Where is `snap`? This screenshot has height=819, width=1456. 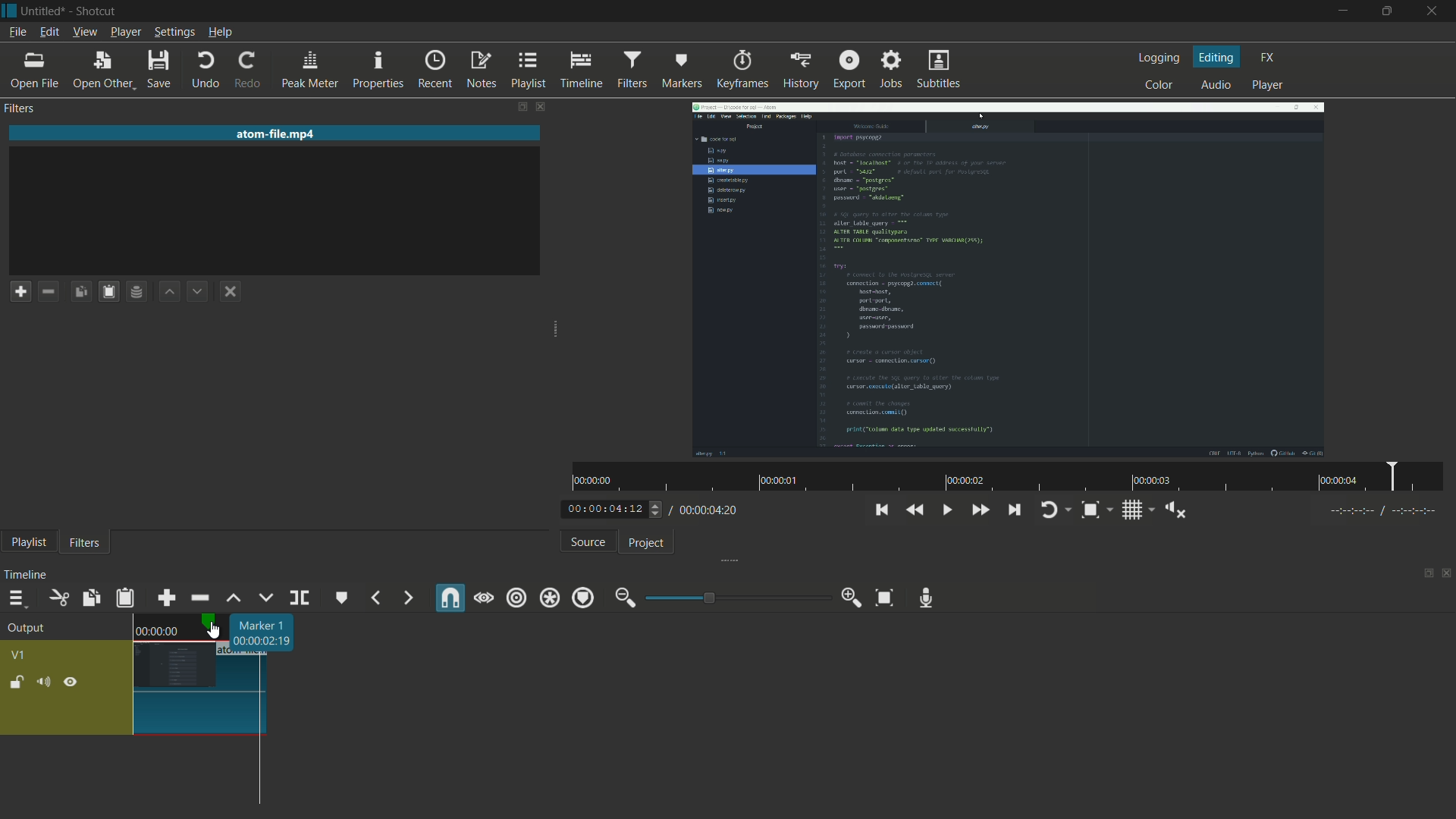 snap is located at coordinates (450, 598).